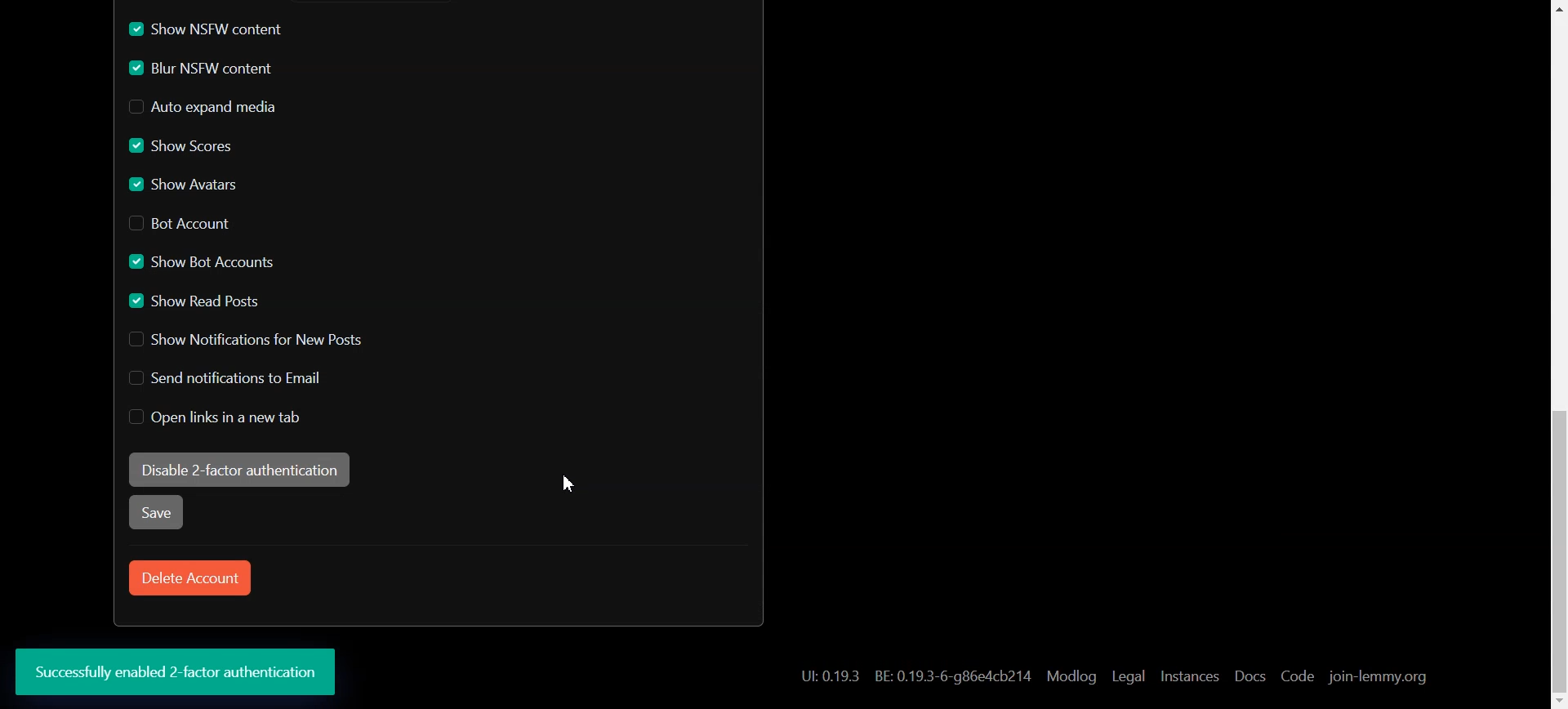 Image resolution: width=1568 pixels, height=709 pixels. I want to click on Text, so click(176, 671).